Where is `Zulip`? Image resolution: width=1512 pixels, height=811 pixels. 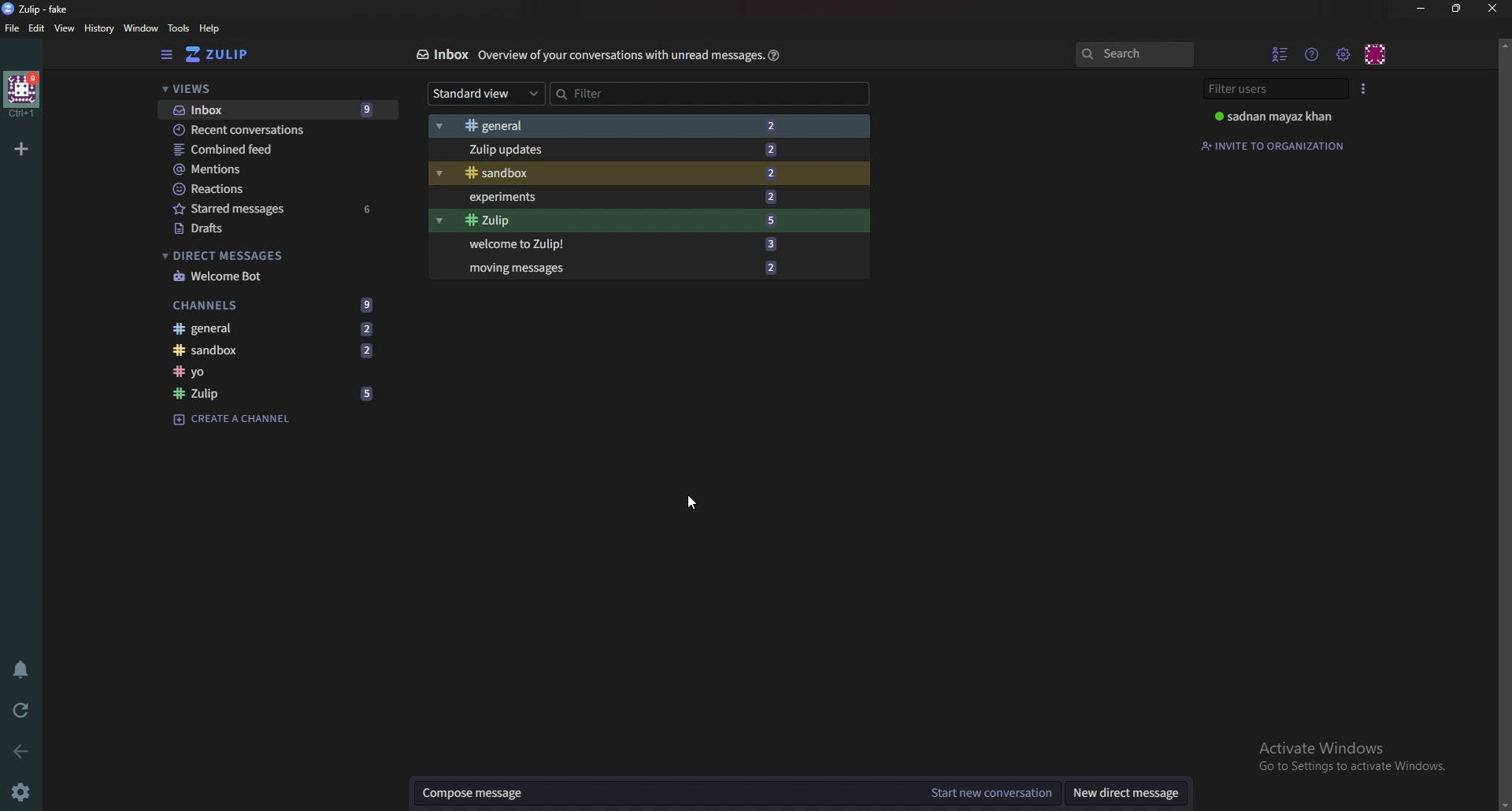 Zulip is located at coordinates (624, 220).